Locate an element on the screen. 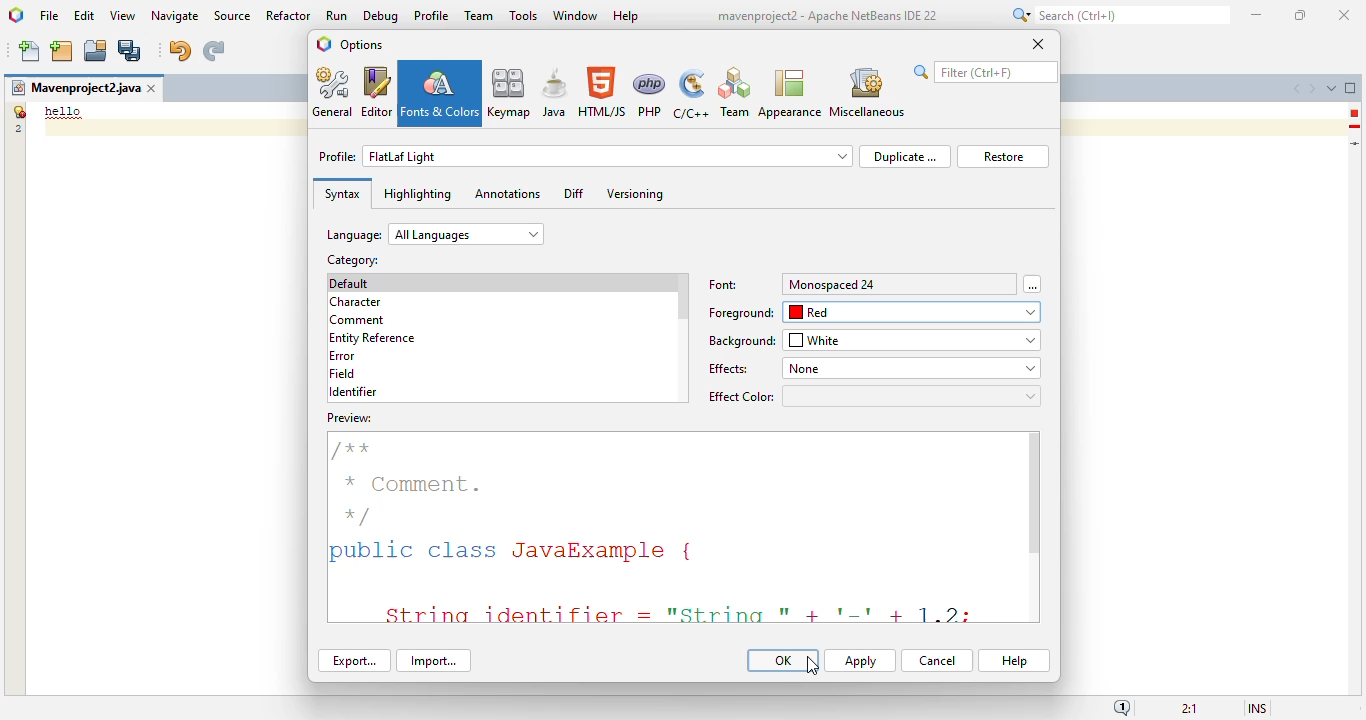 This screenshot has height=720, width=1366. show opened documents list is located at coordinates (1331, 88).